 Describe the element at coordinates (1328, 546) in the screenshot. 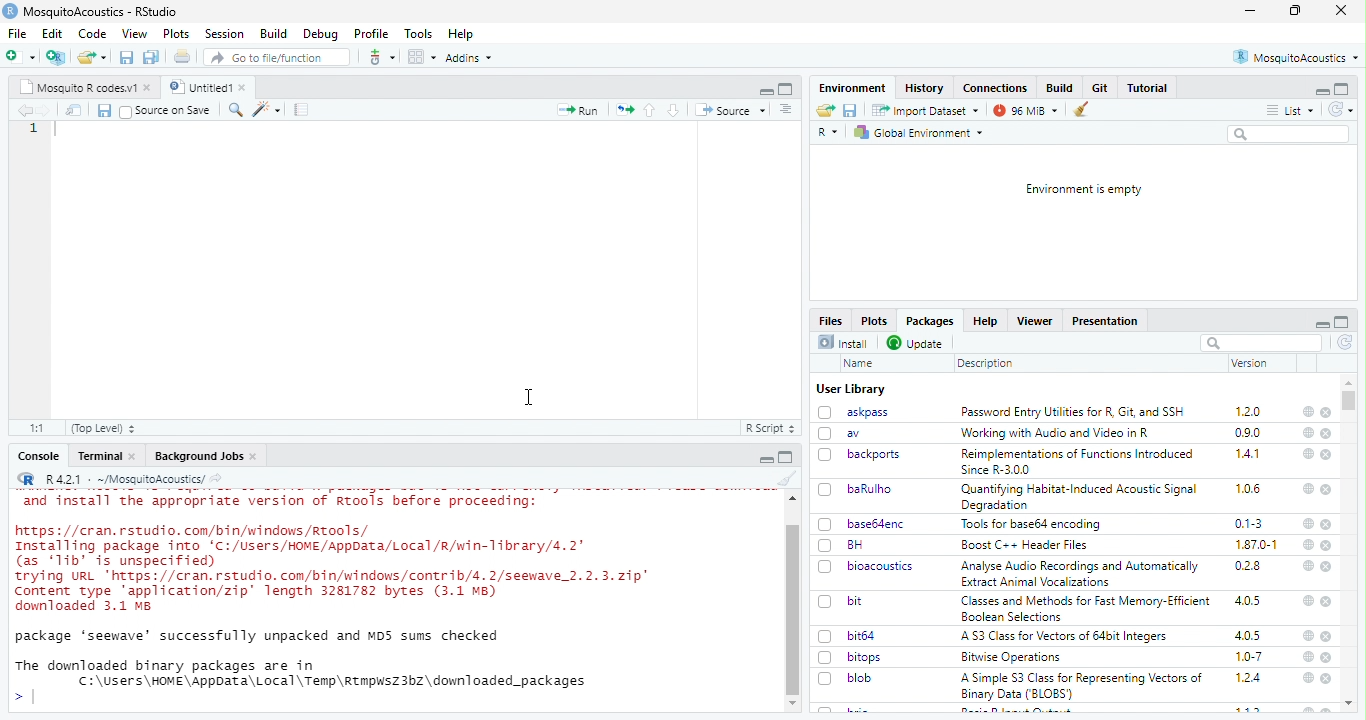

I see `close` at that location.